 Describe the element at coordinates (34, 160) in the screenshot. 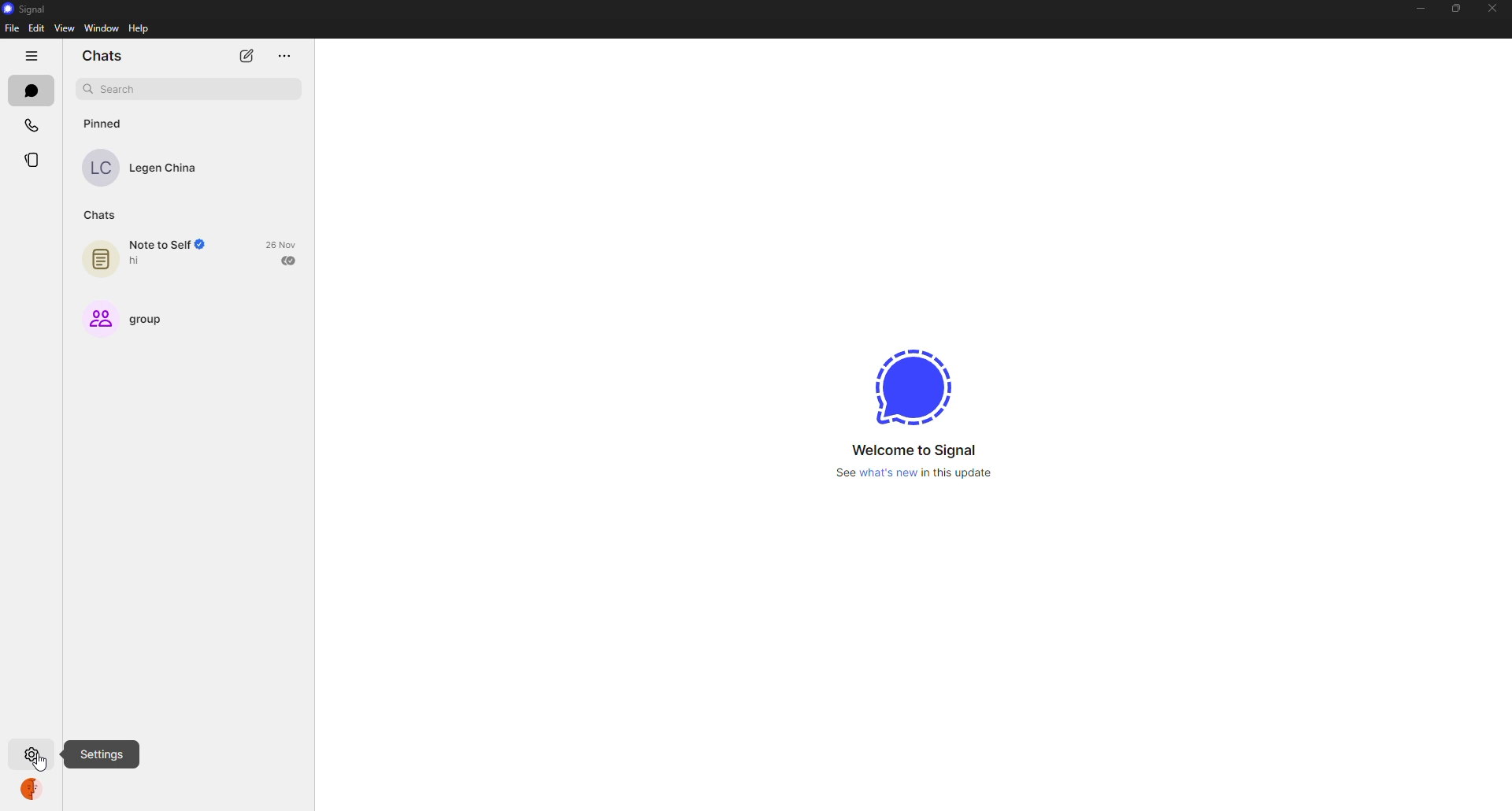

I see `stories` at that location.